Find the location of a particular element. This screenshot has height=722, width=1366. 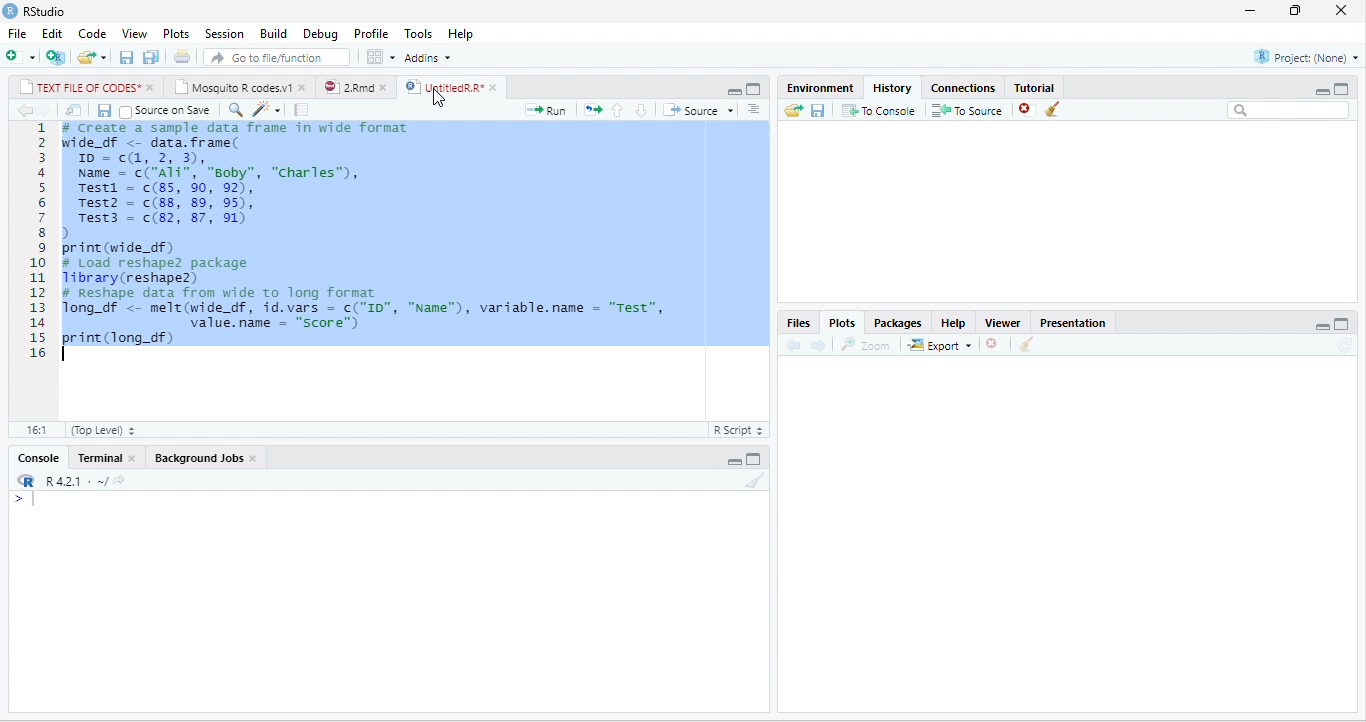

clear is located at coordinates (1053, 109).